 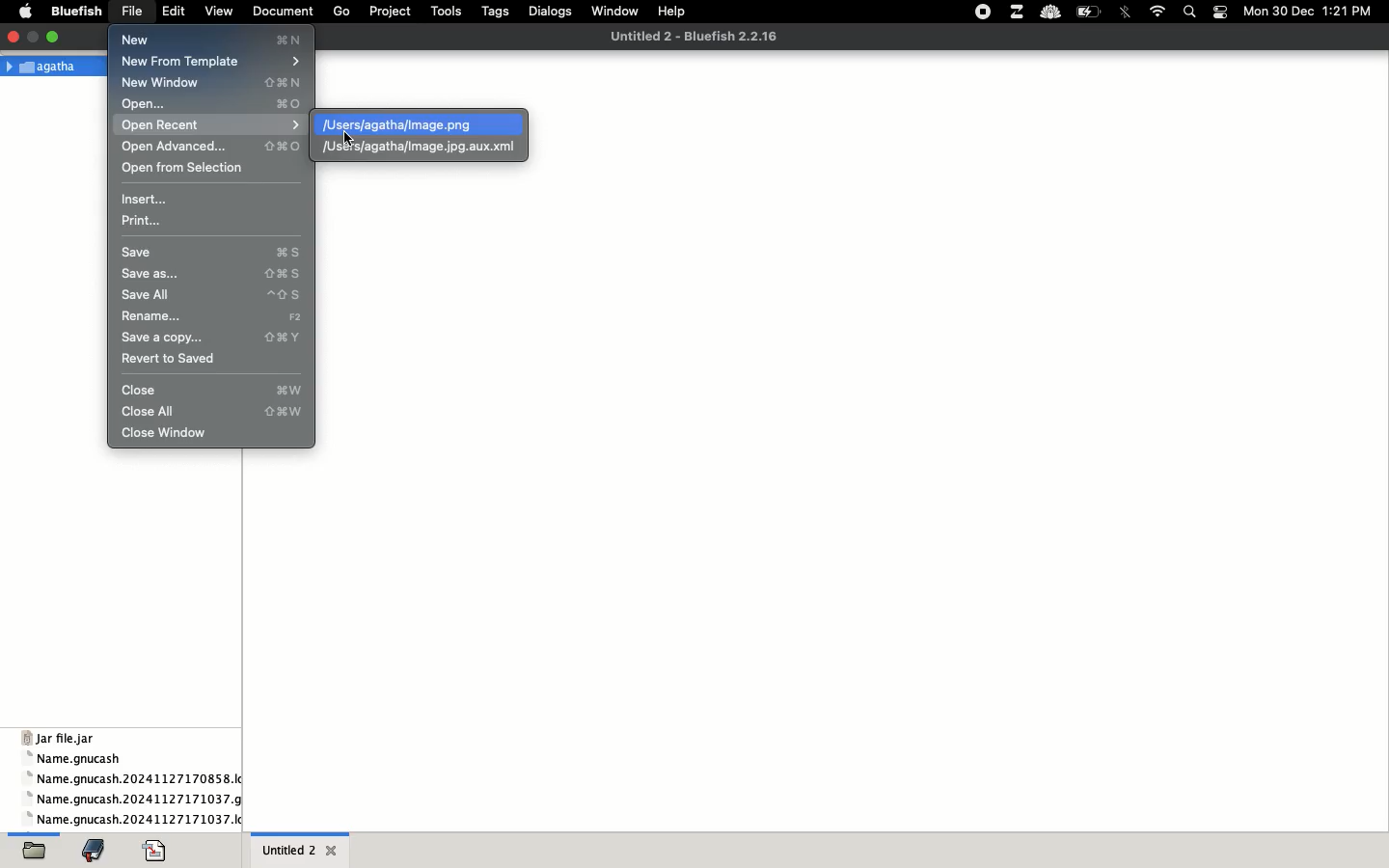 What do you see at coordinates (210, 146) in the screenshot?
I see `open advanced` at bounding box center [210, 146].